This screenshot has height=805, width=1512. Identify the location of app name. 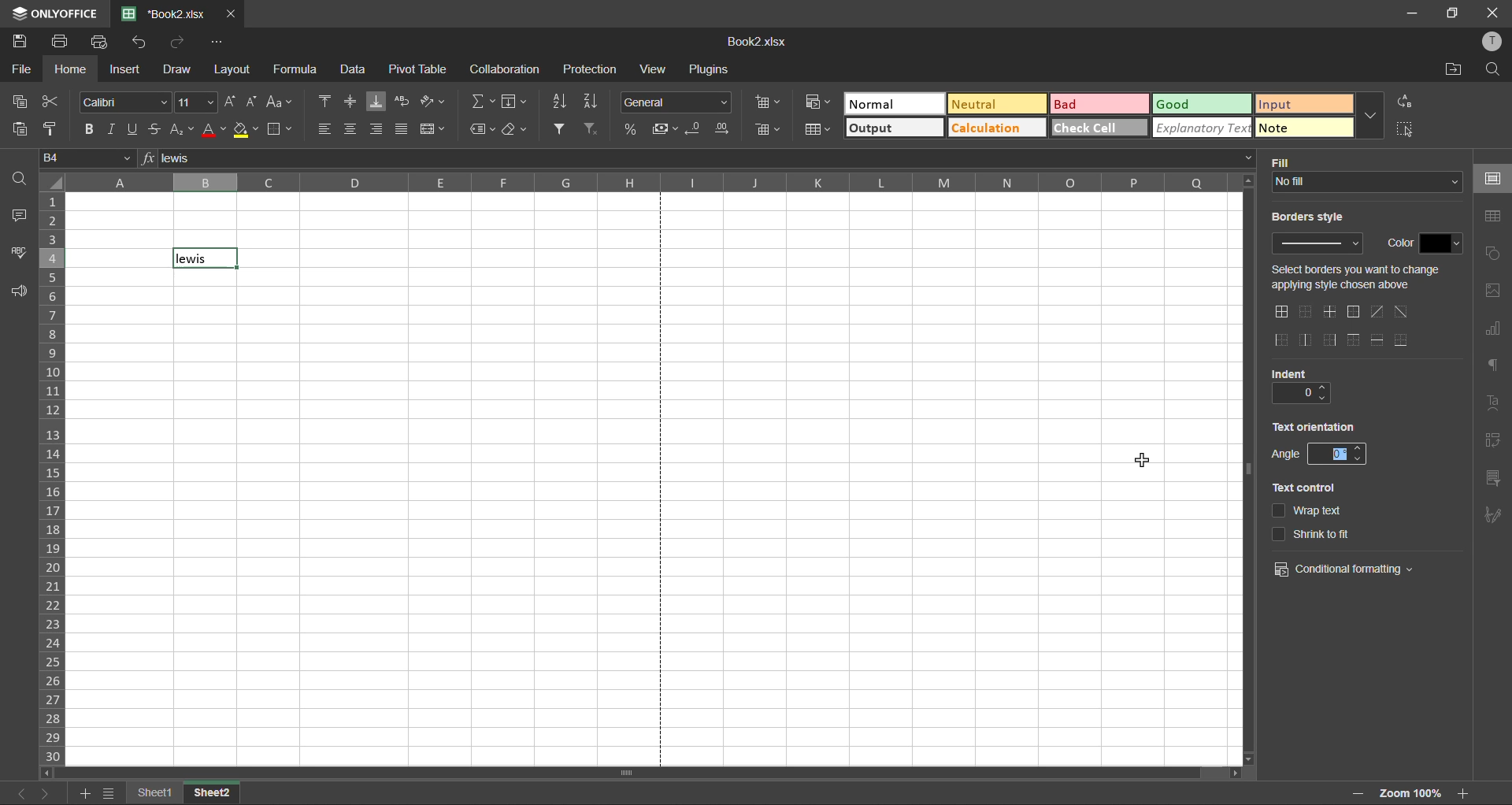
(55, 13).